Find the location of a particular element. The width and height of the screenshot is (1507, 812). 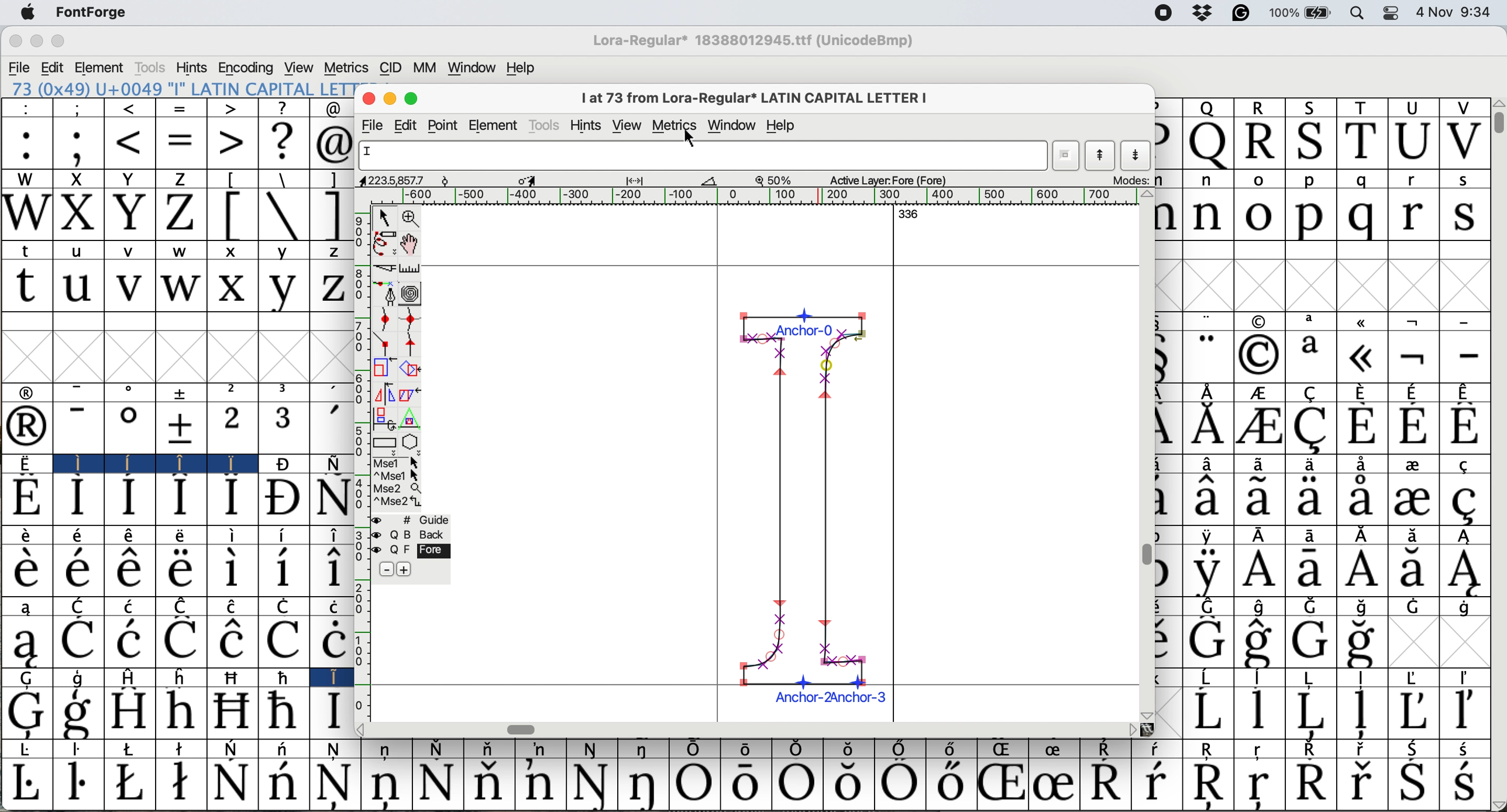

t is located at coordinates (29, 249).